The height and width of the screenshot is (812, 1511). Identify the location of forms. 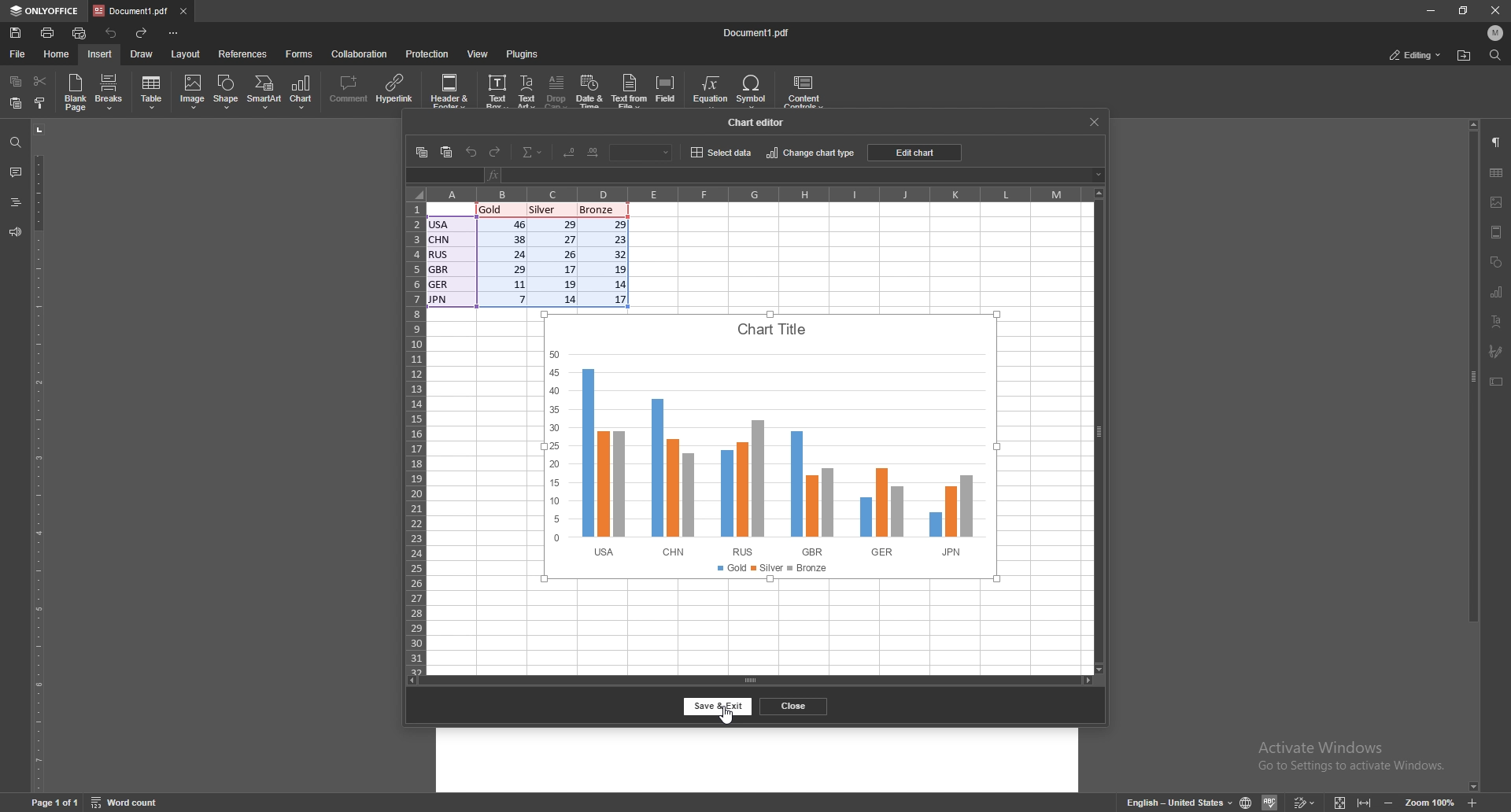
(301, 55).